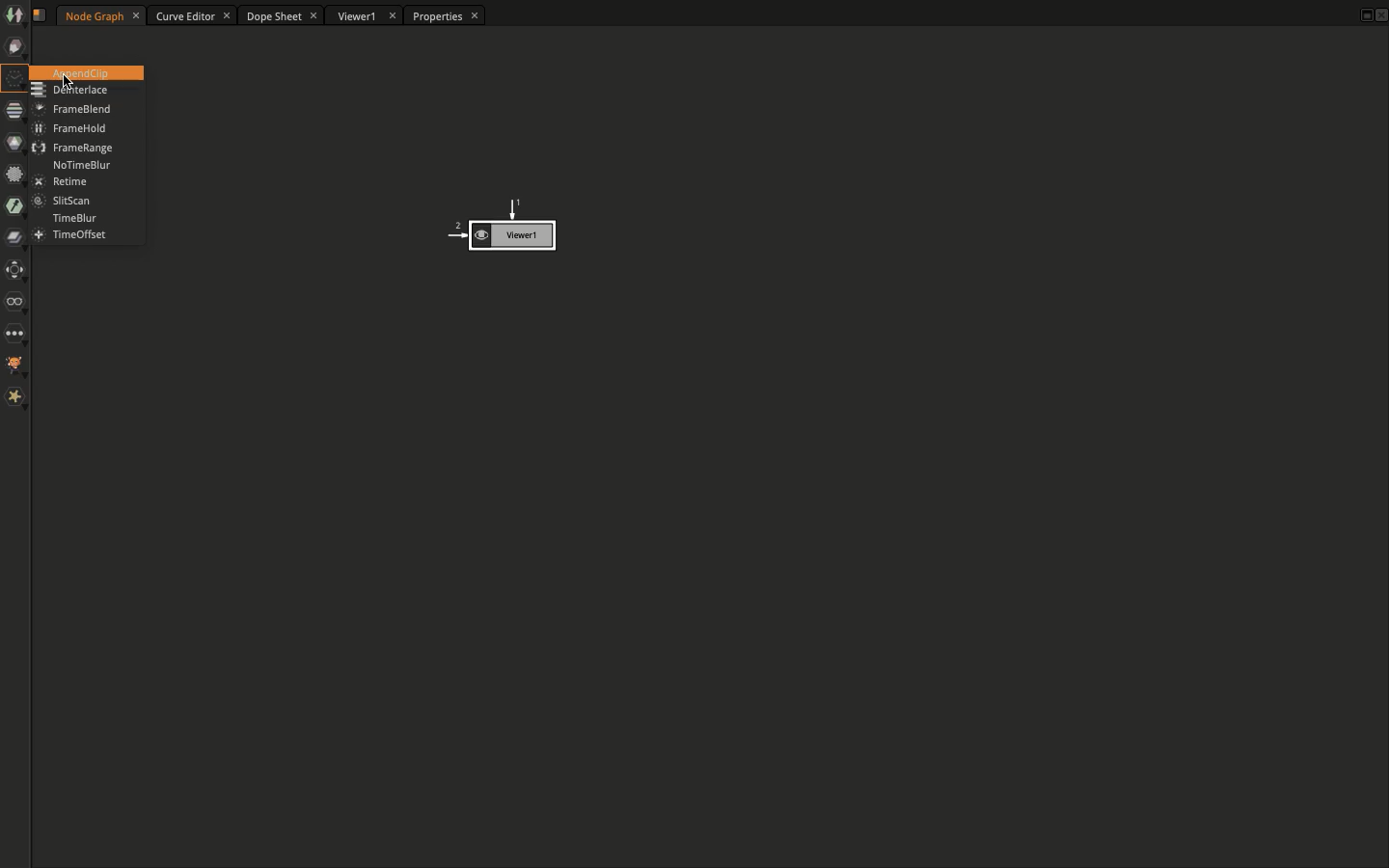 This screenshot has height=868, width=1389. What do you see at coordinates (15, 208) in the screenshot?
I see `Keyer` at bounding box center [15, 208].